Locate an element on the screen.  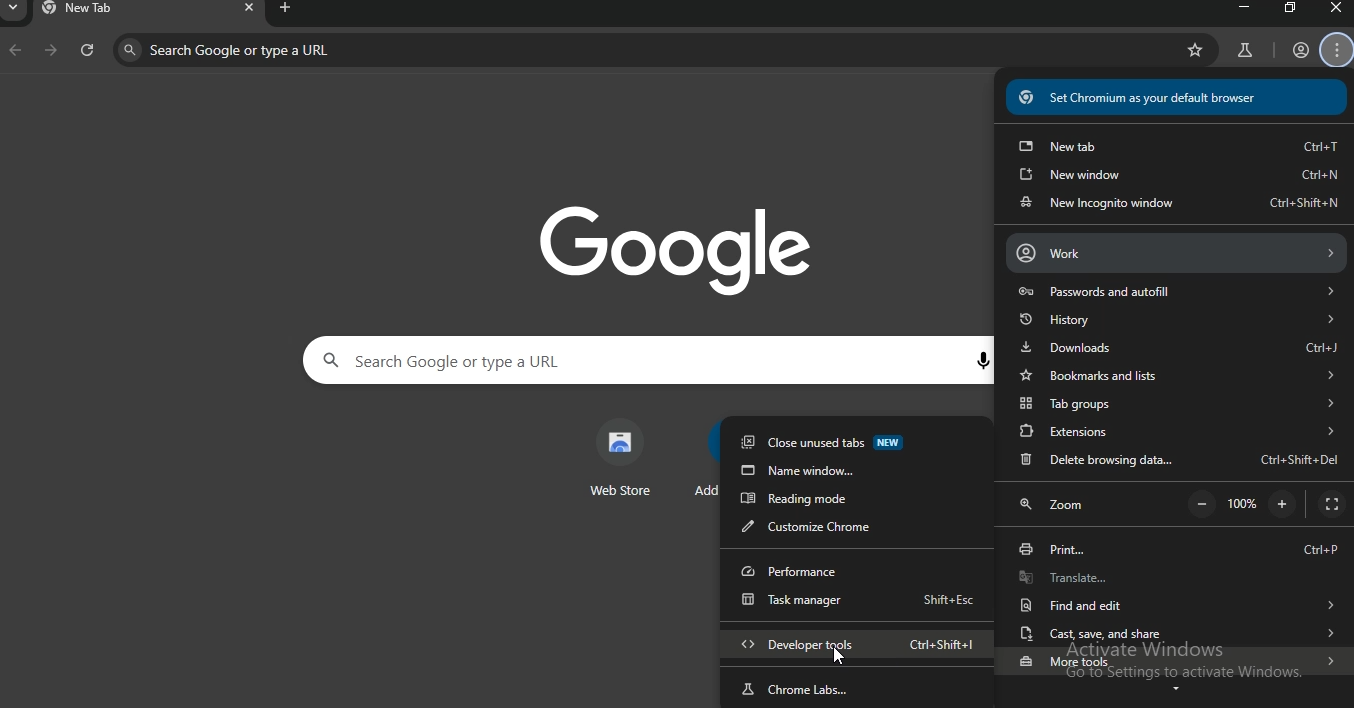
search google or type a URL is located at coordinates (611, 360).